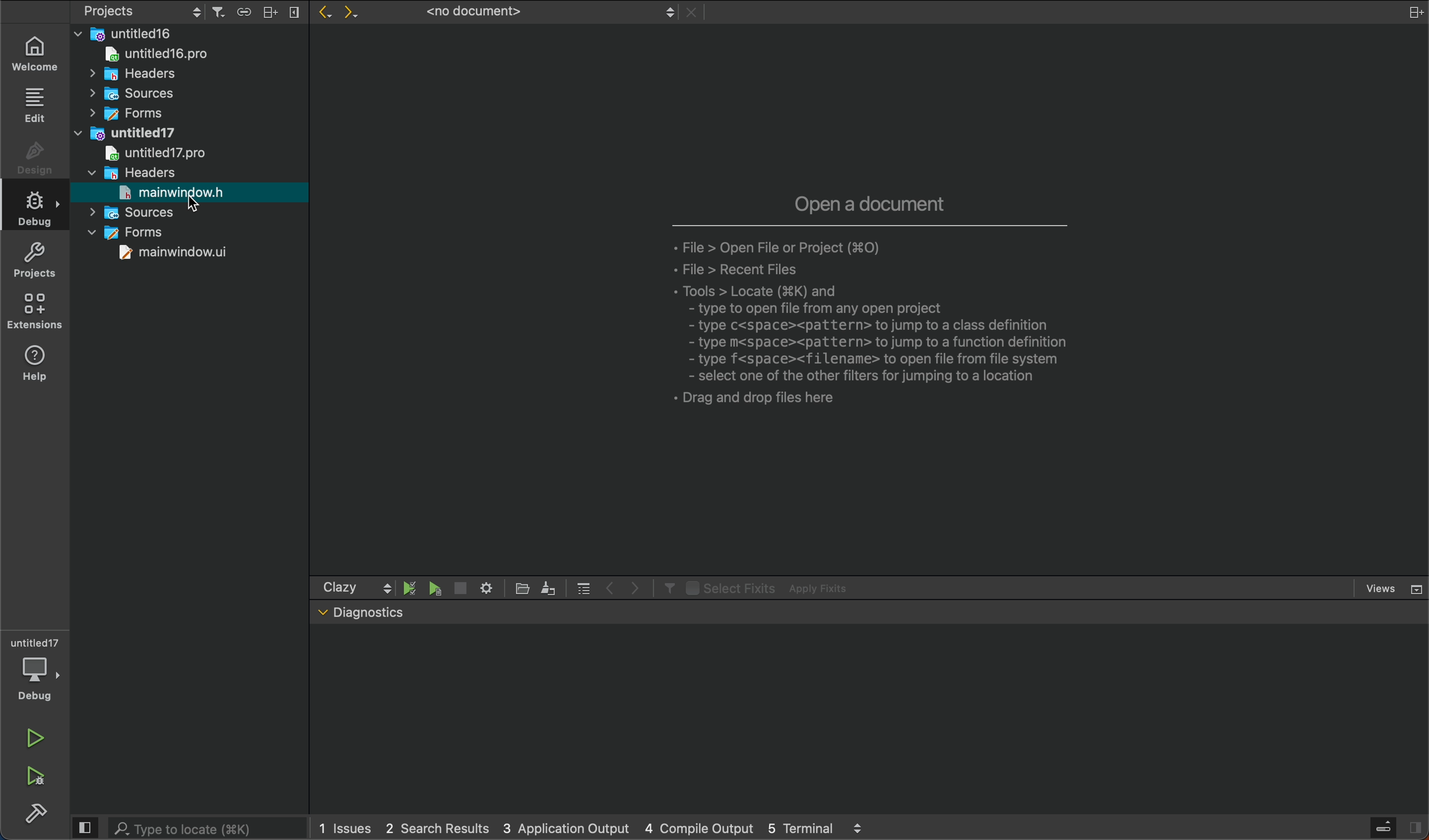 Image resolution: width=1429 pixels, height=840 pixels. What do you see at coordinates (40, 780) in the screenshot?
I see `run and debug` at bounding box center [40, 780].